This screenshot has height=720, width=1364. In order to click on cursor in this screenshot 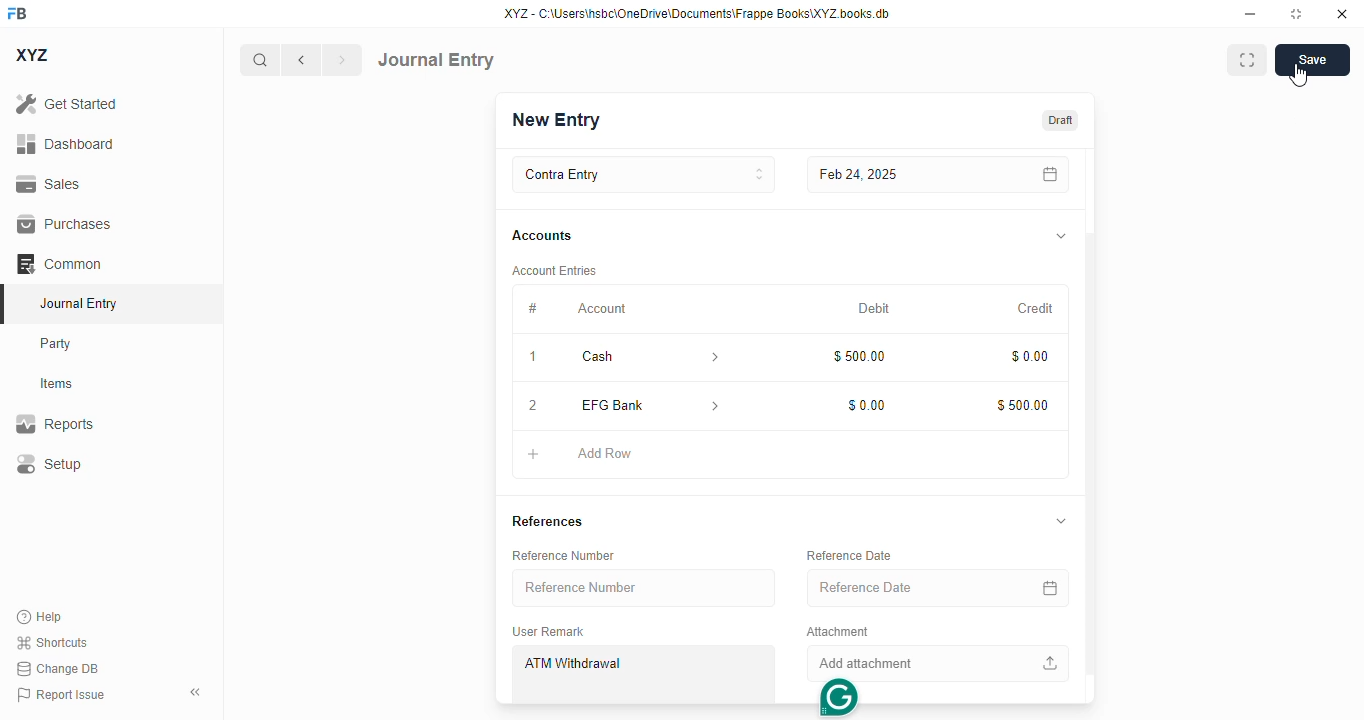, I will do `click(1299, 76)`.